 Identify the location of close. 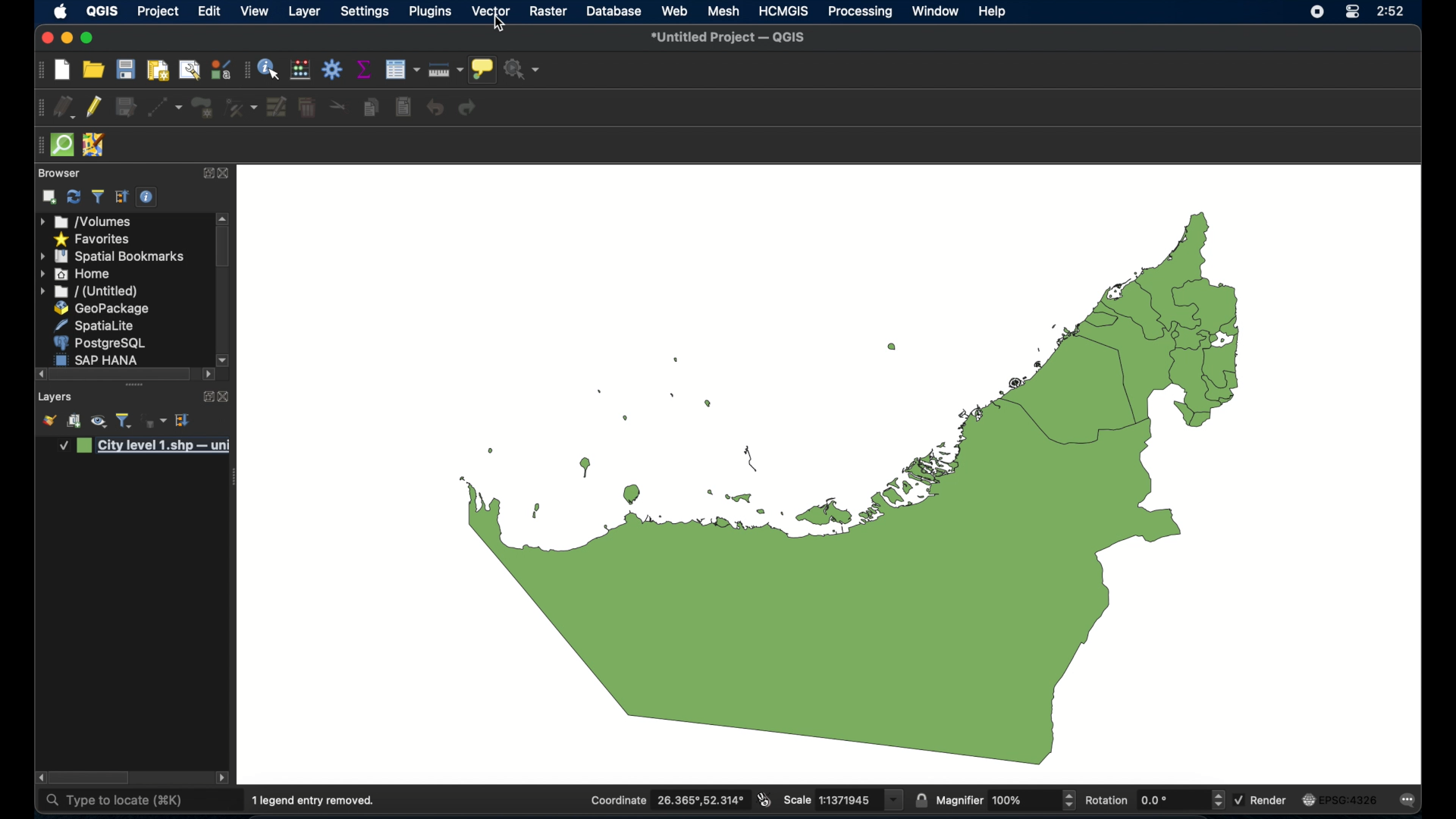
(224, 397).